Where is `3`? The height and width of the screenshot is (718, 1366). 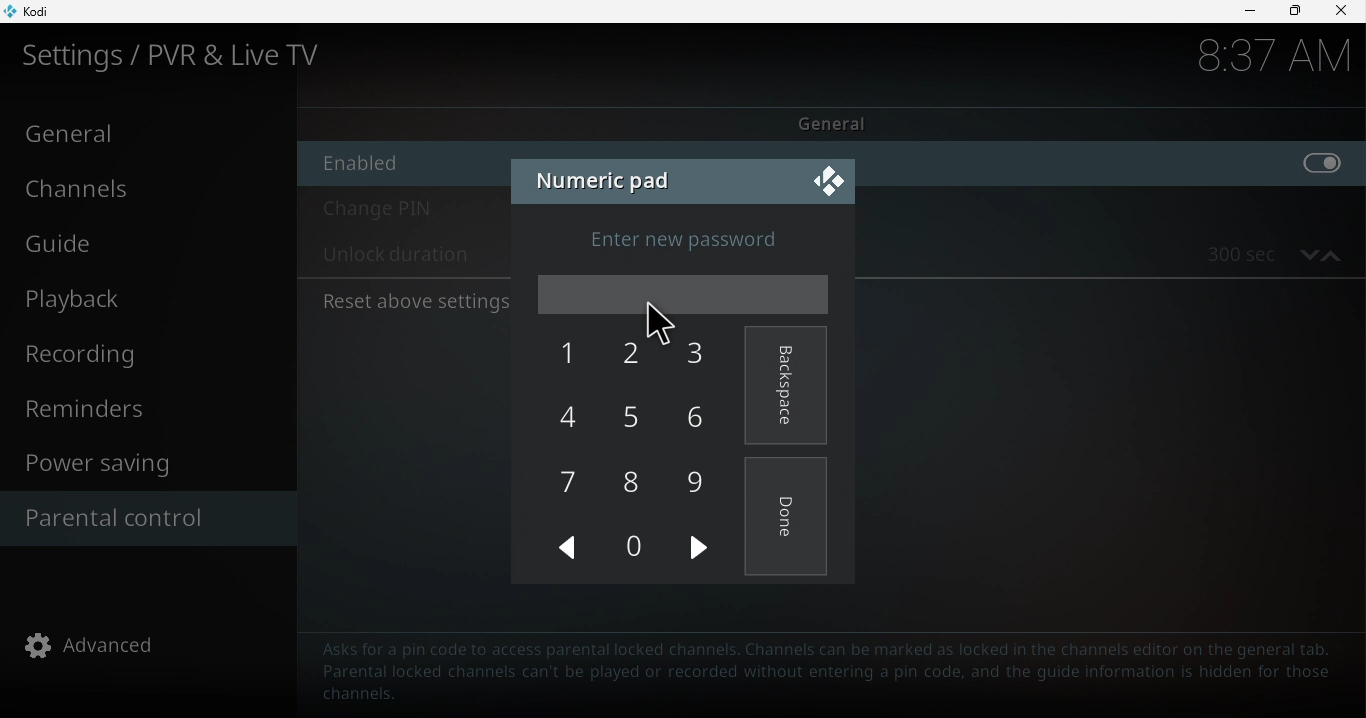 3 is located at coordinates (701, 358).